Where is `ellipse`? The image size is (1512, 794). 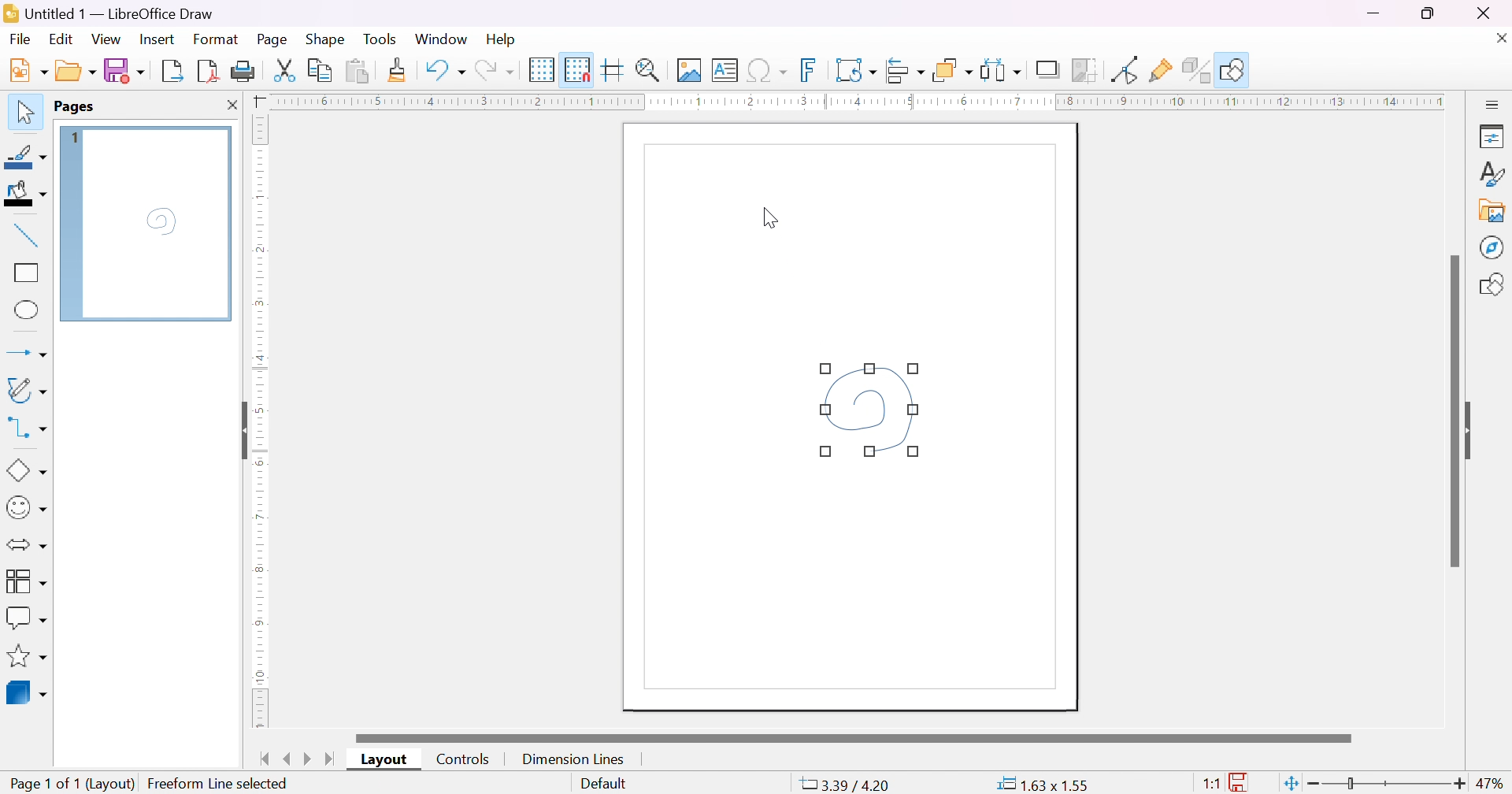 ellipse is located at coordinates (28, 308).